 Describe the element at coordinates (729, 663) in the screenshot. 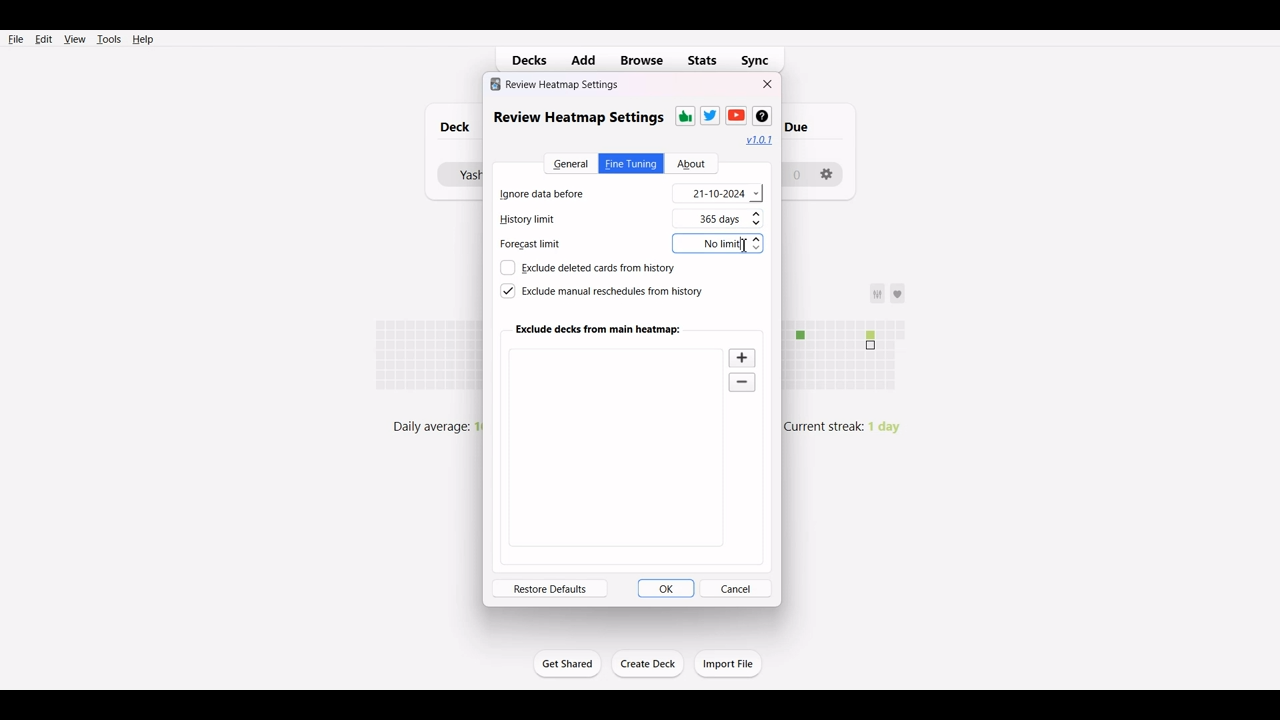

I see `Import File` at that location.